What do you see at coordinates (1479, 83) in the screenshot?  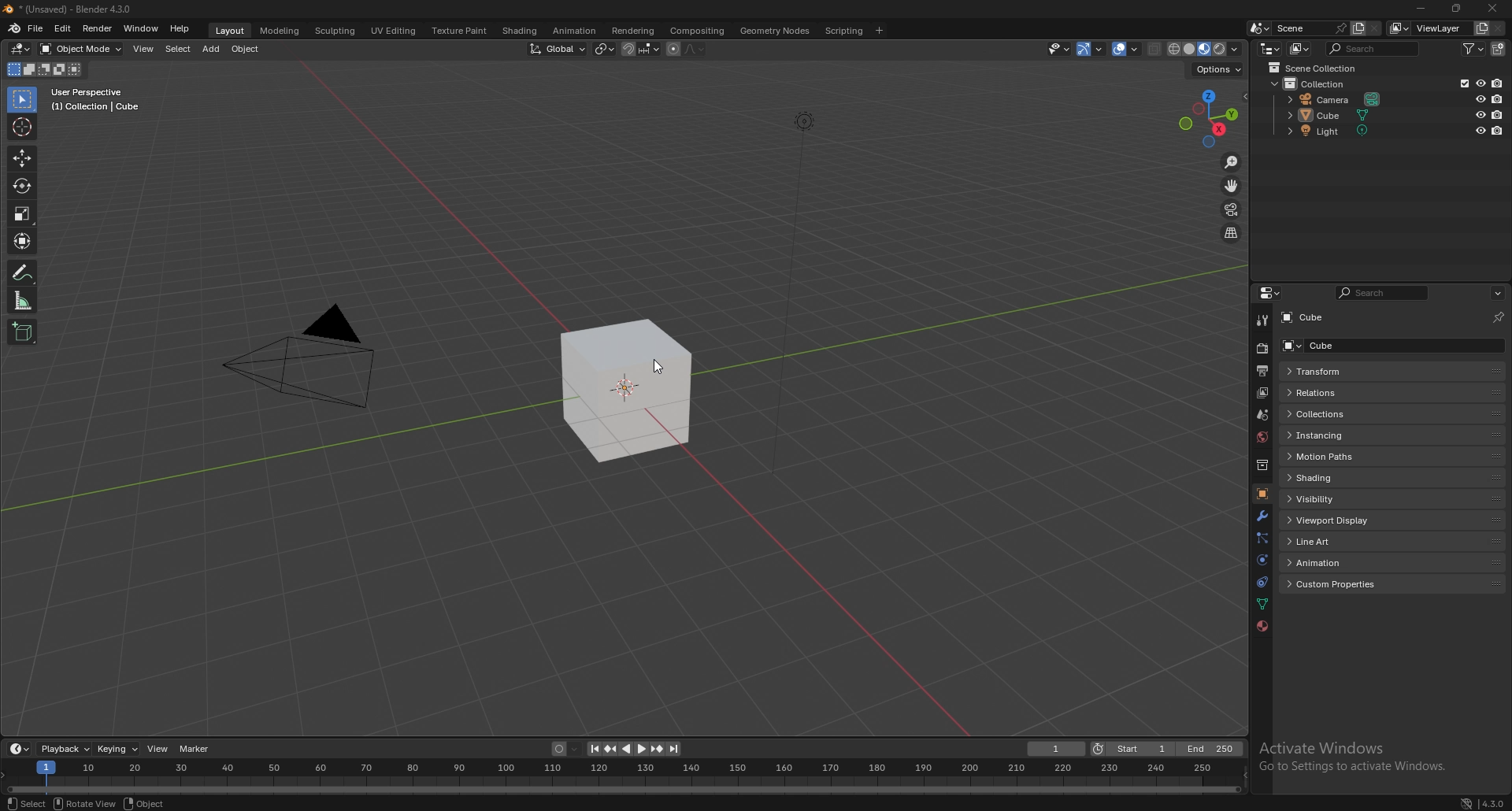 I see `hide in viewport` at bounding box center [1479, 83].